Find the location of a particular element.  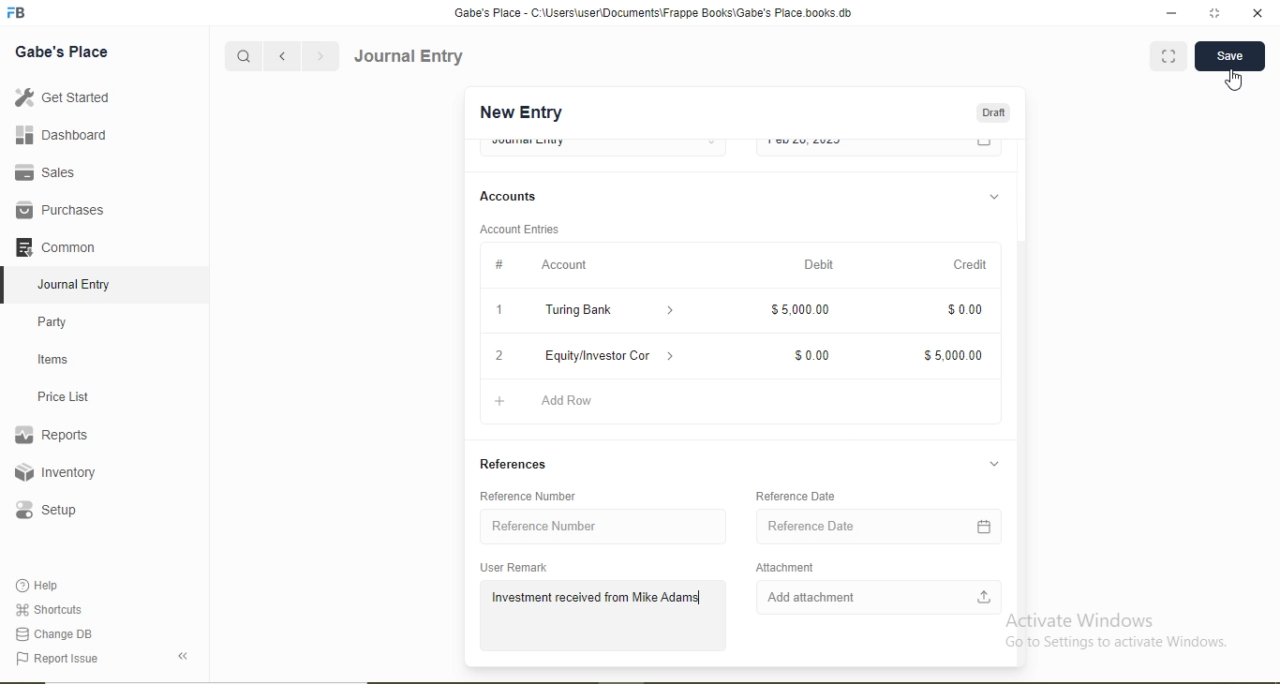

$5,000.00 is located at coordinates (952, 356).